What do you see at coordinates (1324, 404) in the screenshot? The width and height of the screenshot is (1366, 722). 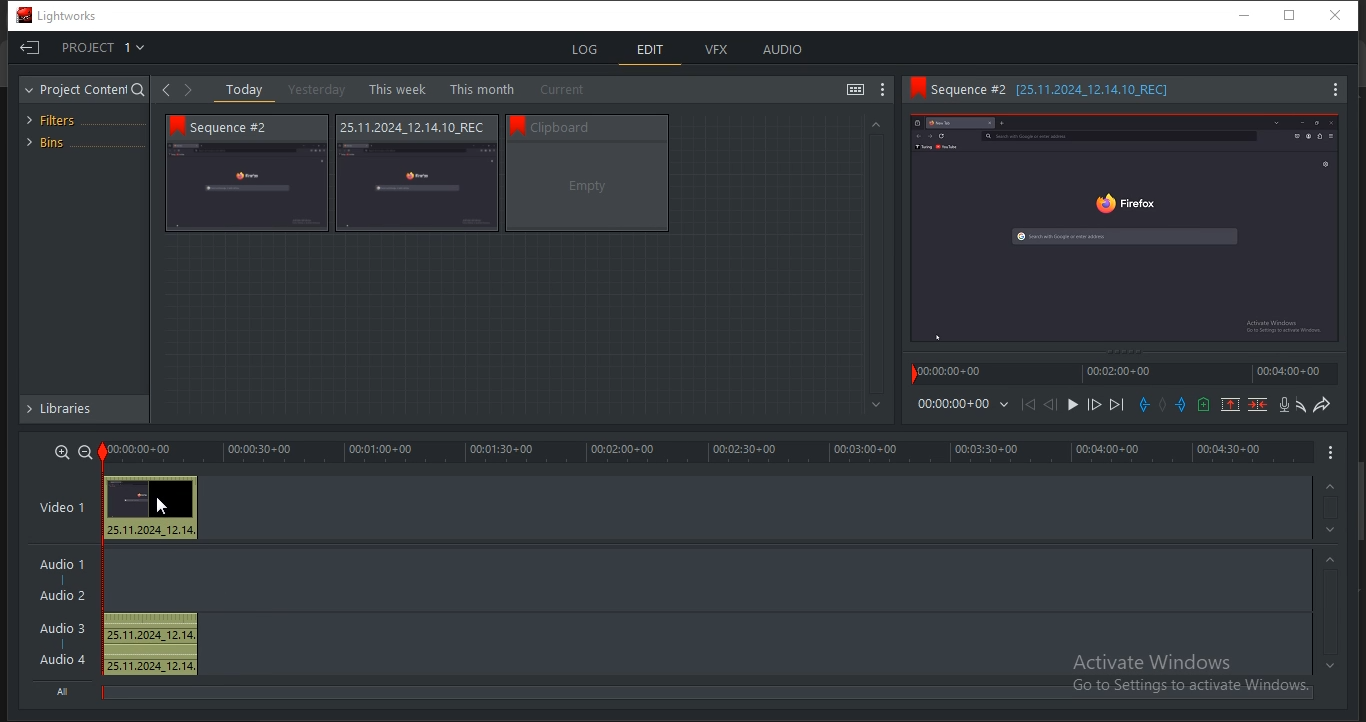 I see `redo` at bounding box center [1324, 404].